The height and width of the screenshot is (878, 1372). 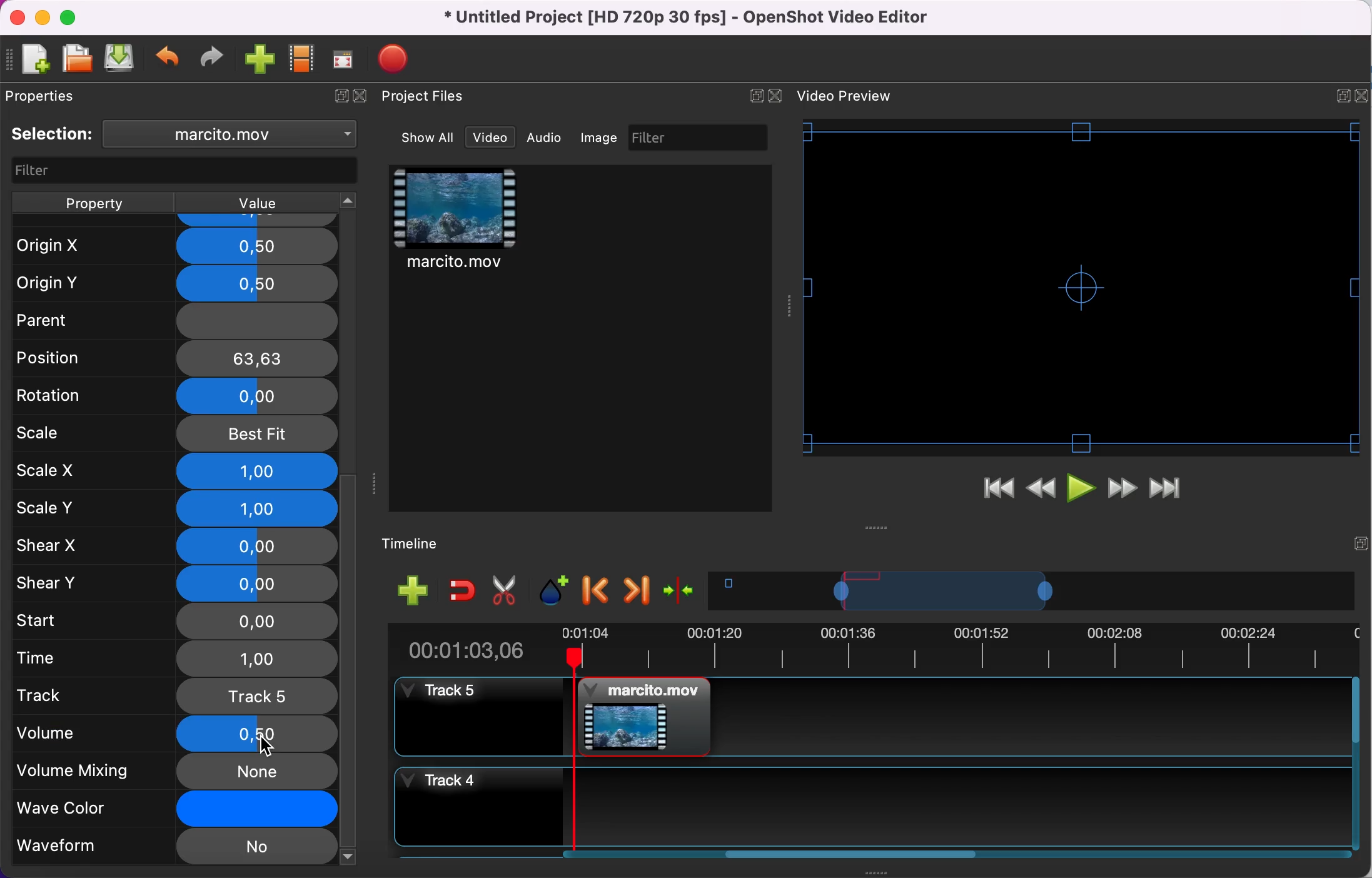 What do you see at coordinates (998, 492) in the screenshot?
I see `jump to start` at bounding box center [998, 492].